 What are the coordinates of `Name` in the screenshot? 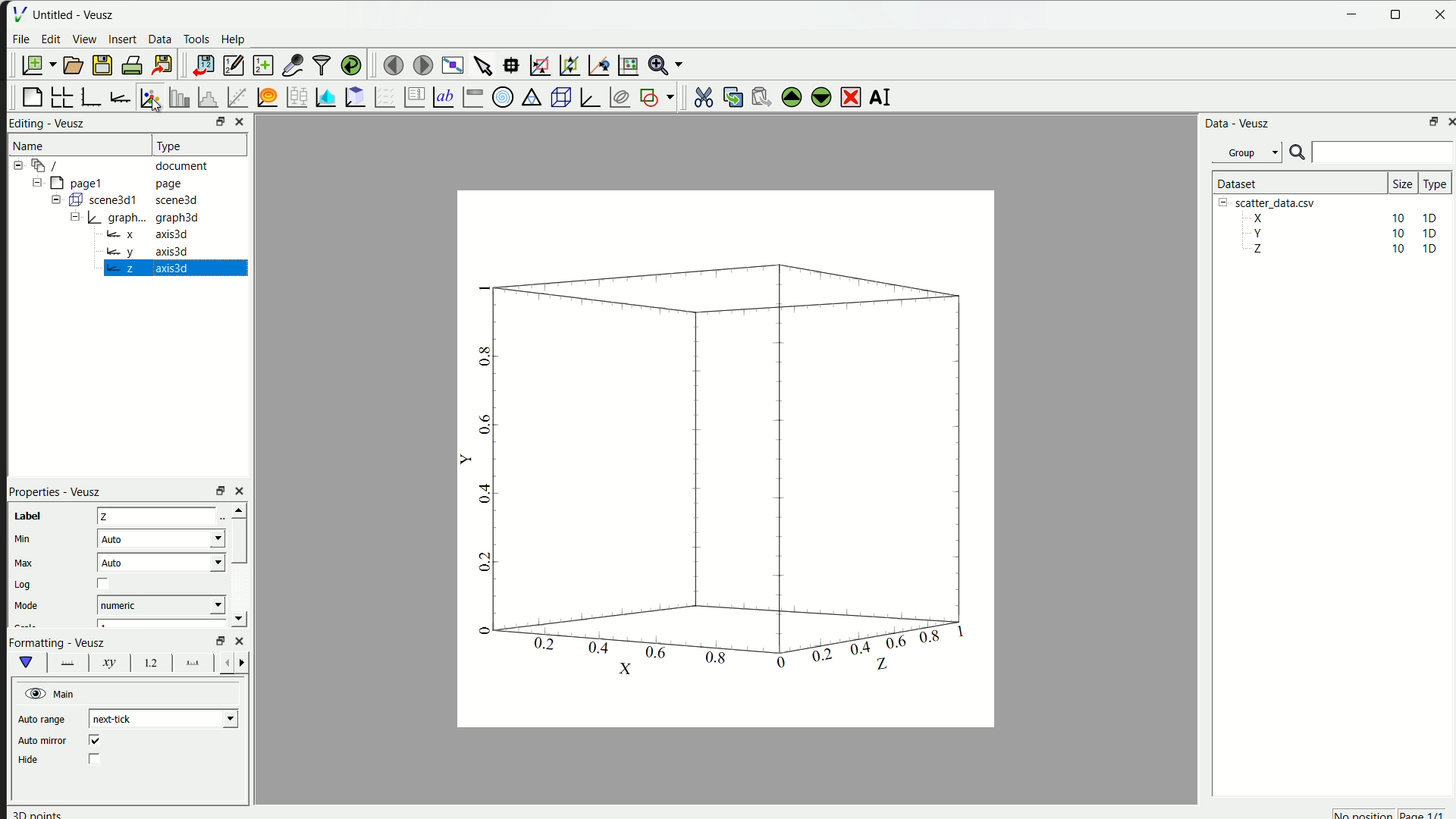 It's located at (30, 143).